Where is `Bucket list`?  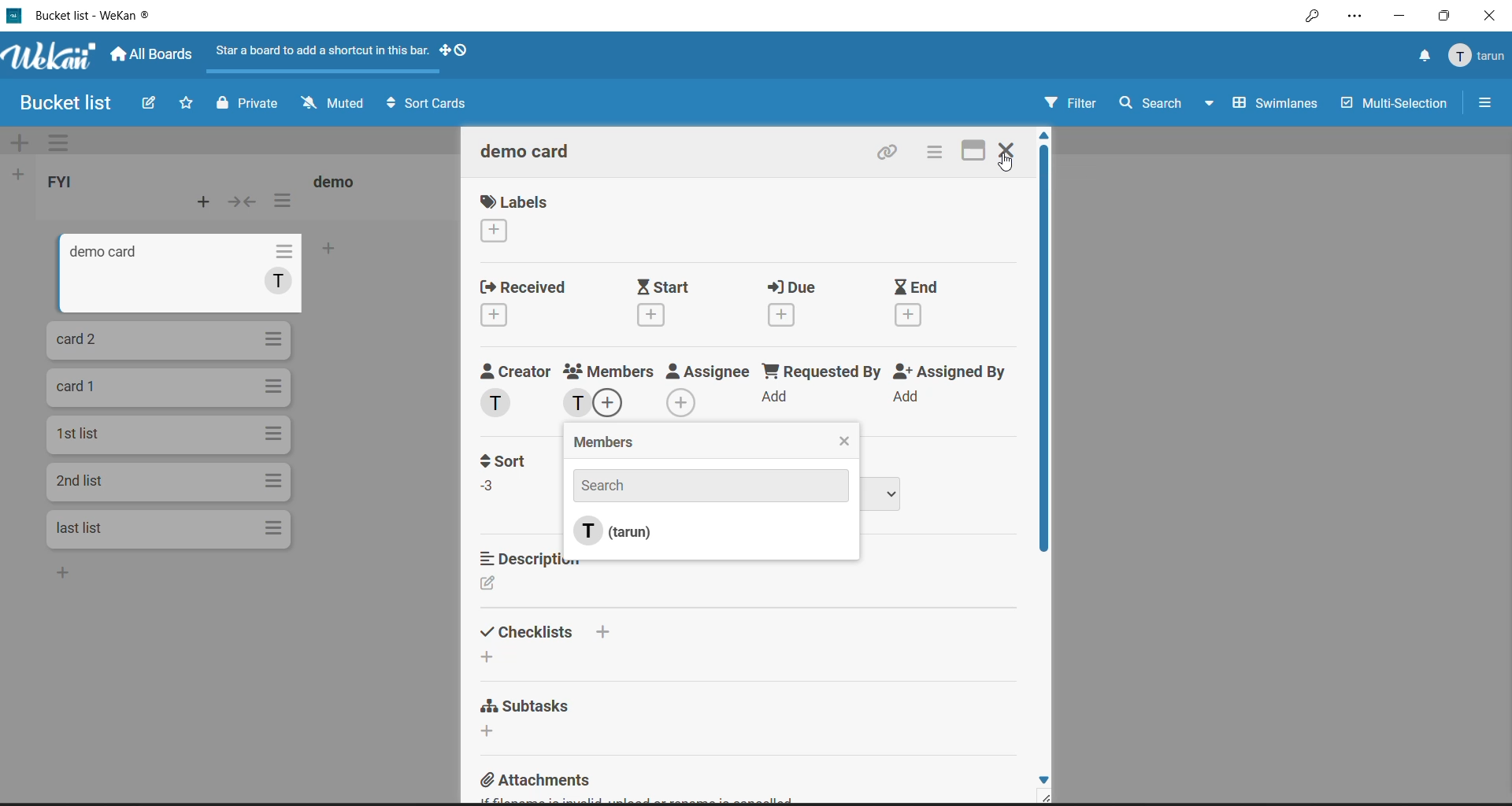
Bucket list is located at coordinates (63, 102).